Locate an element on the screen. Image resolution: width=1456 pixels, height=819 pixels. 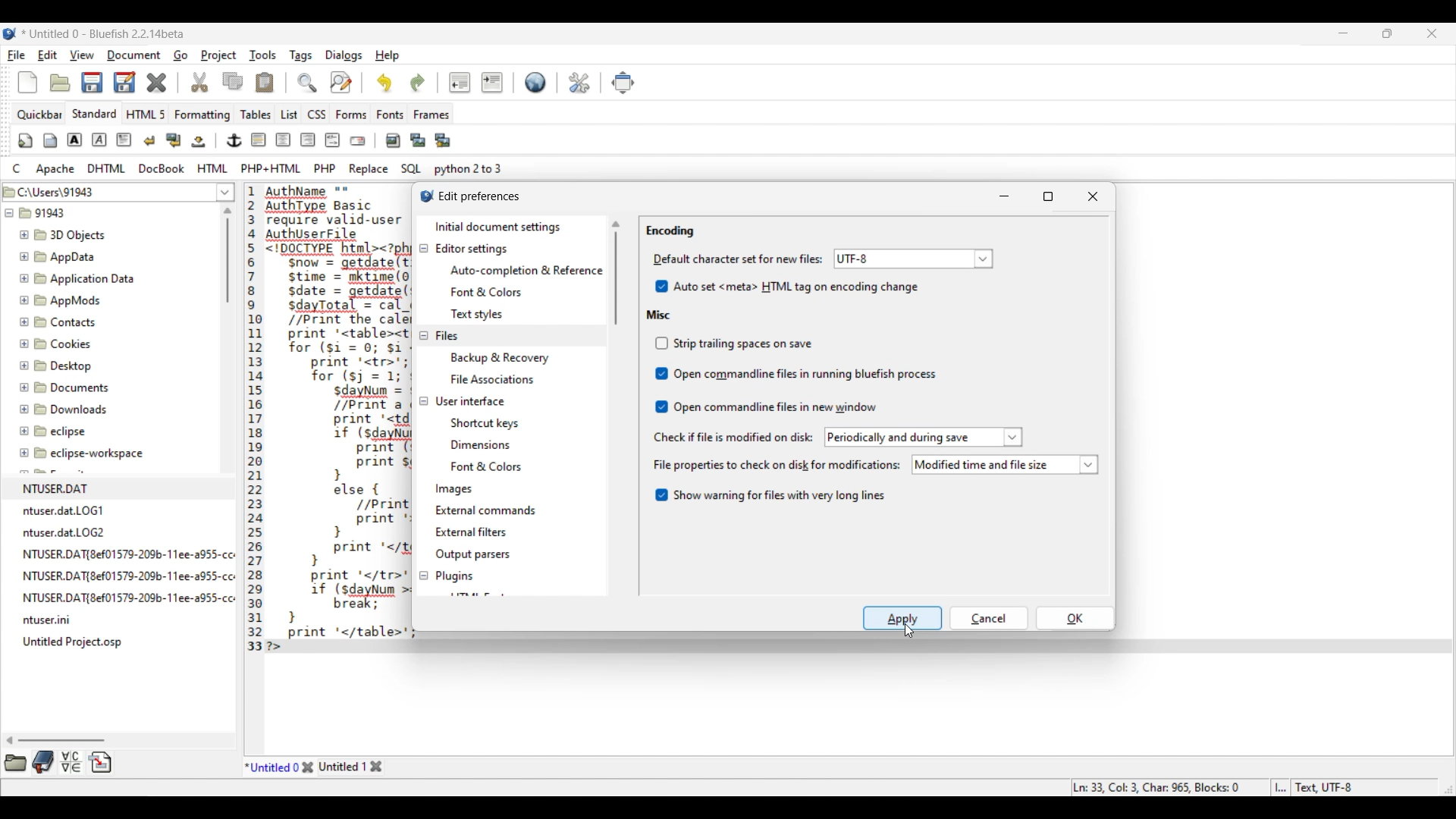
Window title is located at coordinates (480, 197).